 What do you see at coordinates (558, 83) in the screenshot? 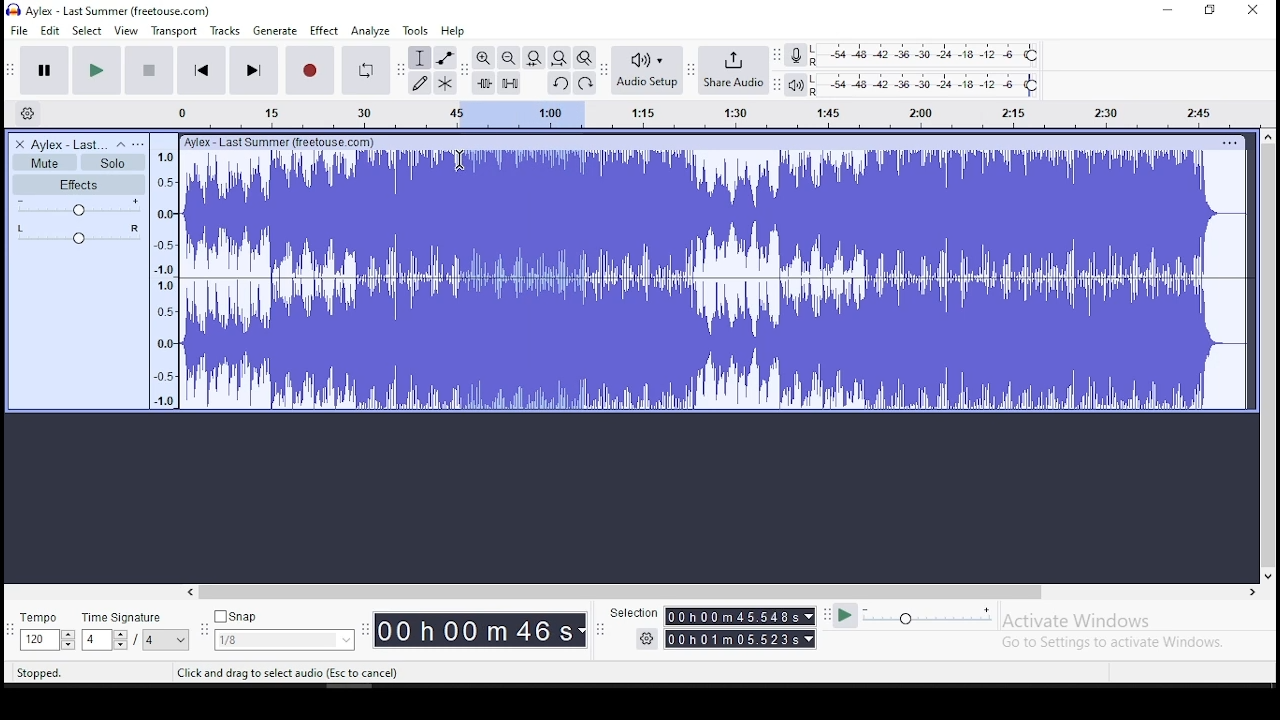
I see `undo` at bounding box center [558, 83].